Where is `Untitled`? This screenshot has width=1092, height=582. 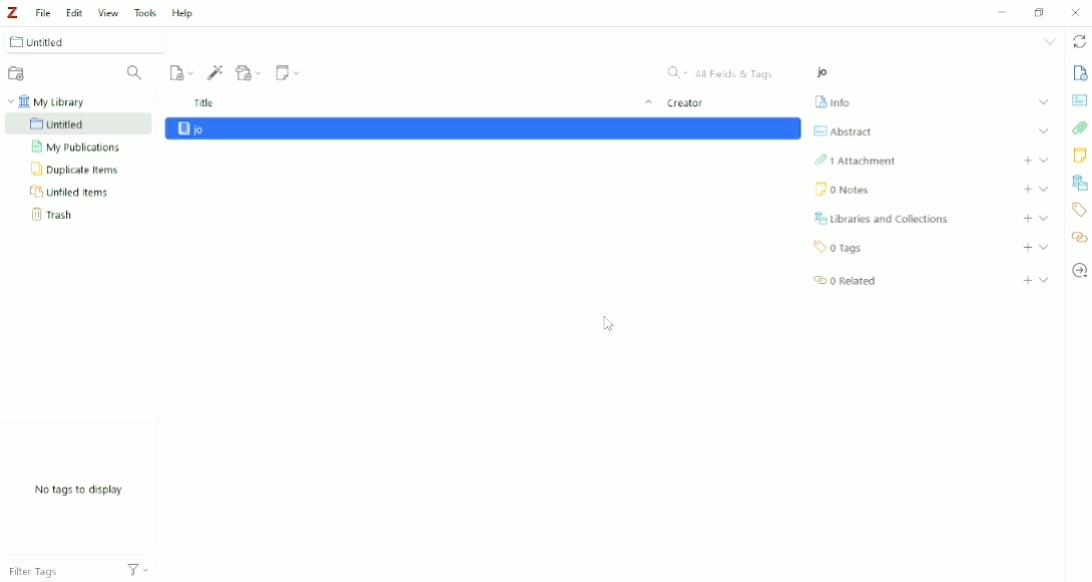 Untitled is located at coordinates (83, 42).